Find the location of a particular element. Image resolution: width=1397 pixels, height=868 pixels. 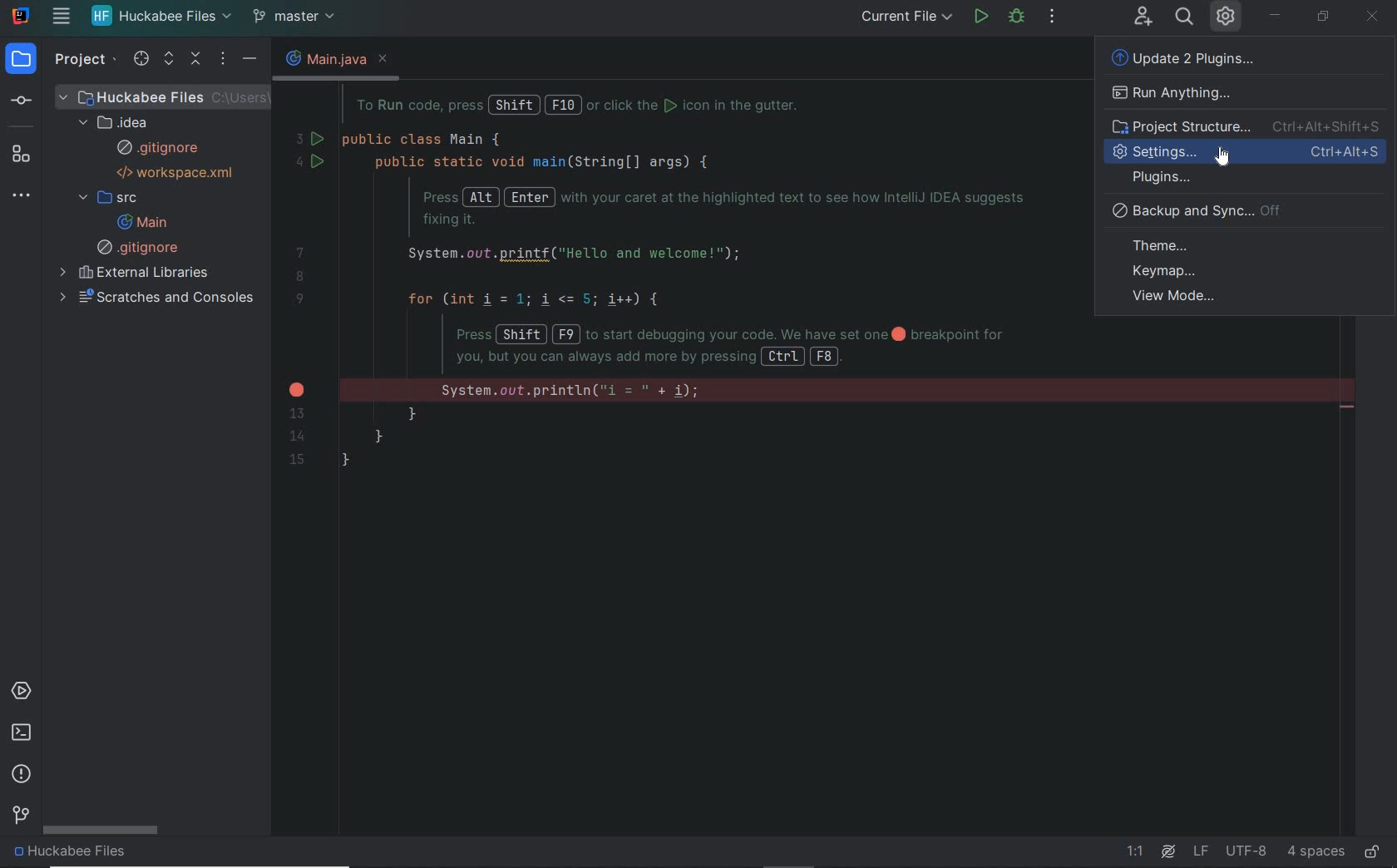

plugins is located at coordinates (1250, 179).